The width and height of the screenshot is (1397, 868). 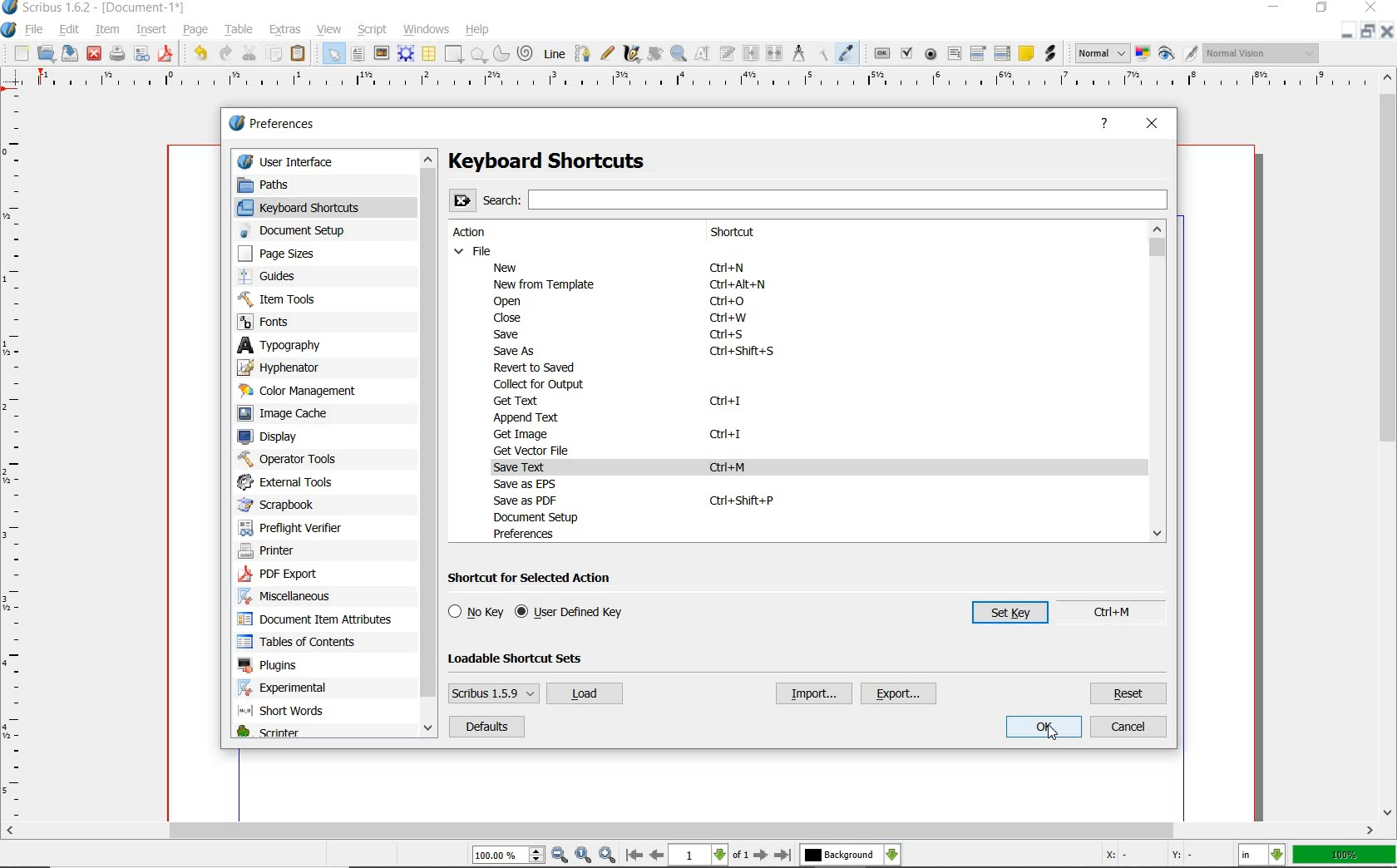 What do you see at coordinates (427, 30) in the screenshot?
I see `windows` at bounding box center [427, 30].